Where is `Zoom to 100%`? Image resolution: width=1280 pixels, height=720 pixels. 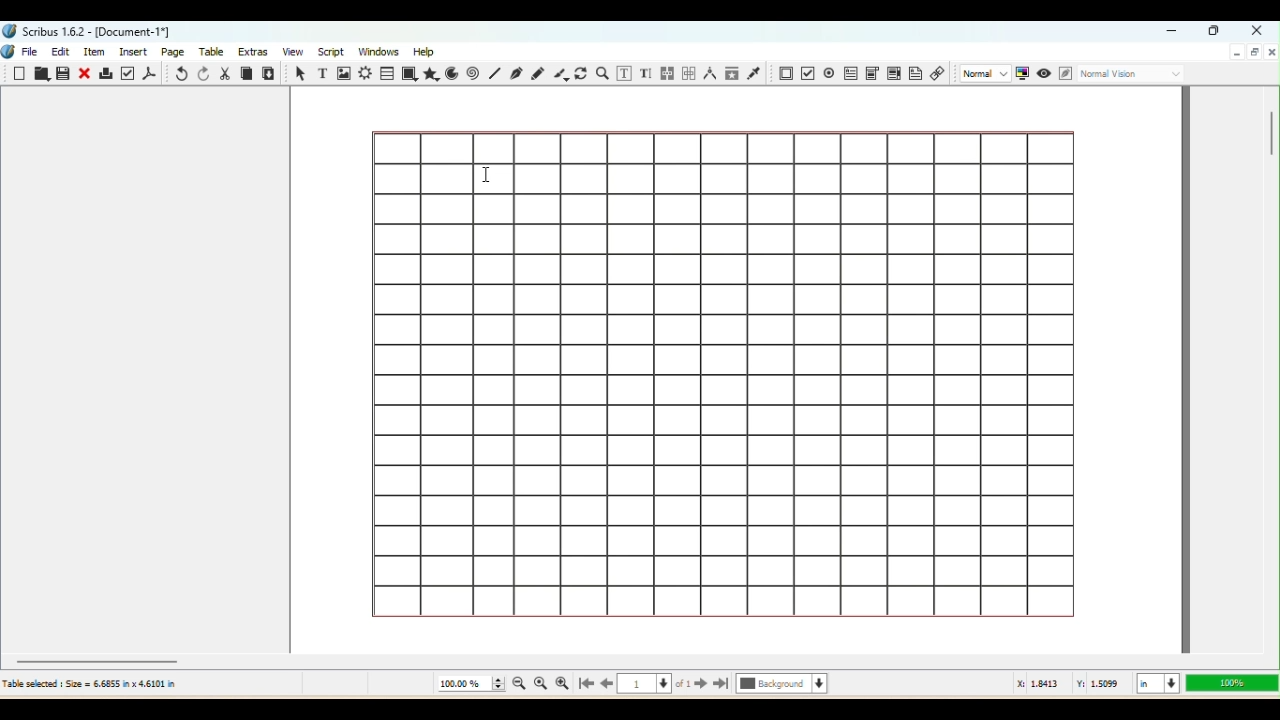 Zoom to 100% is located at coordinates (541, 685).